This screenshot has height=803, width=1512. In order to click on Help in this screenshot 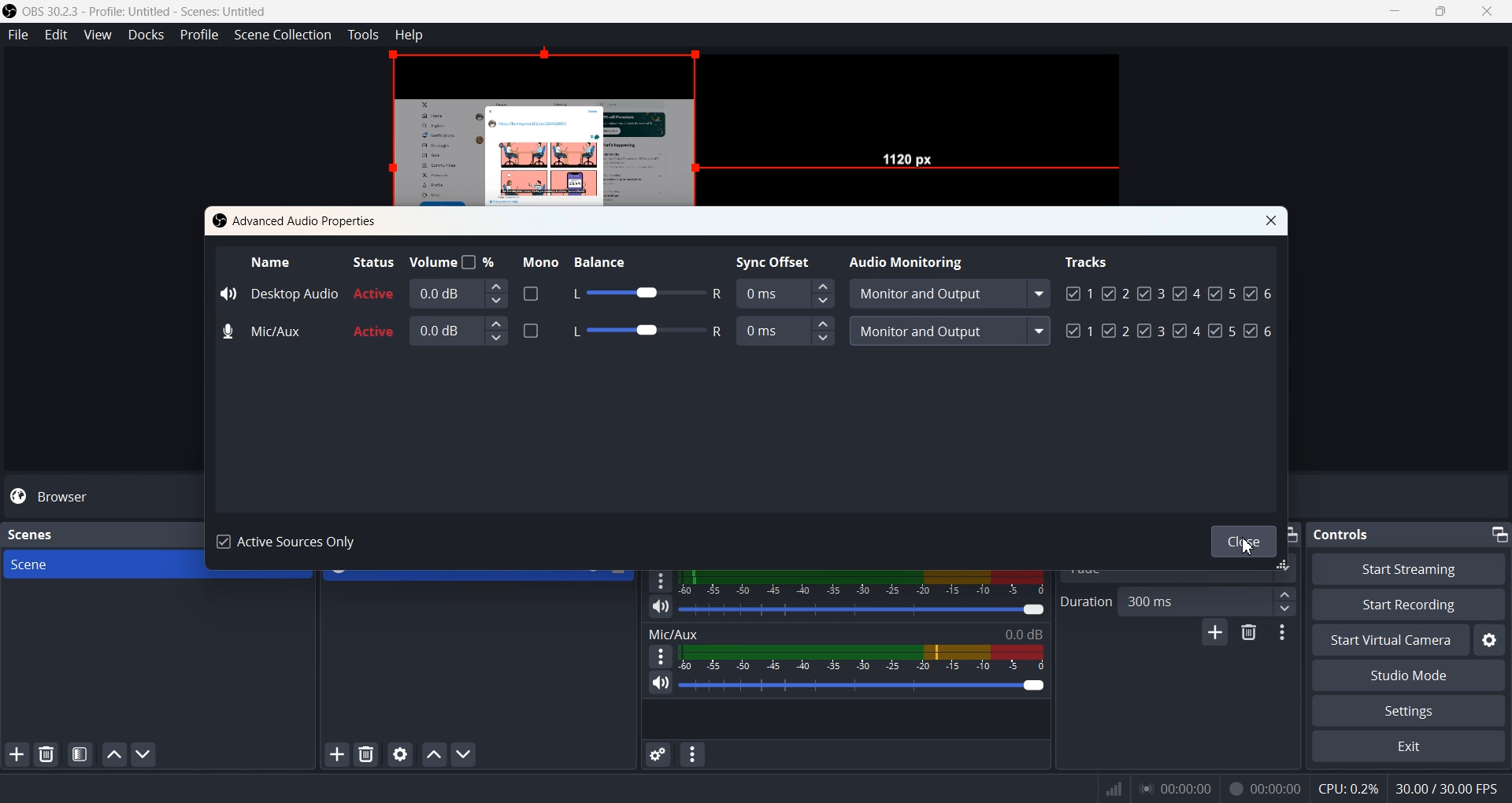, I will do `click(409, 34)`.